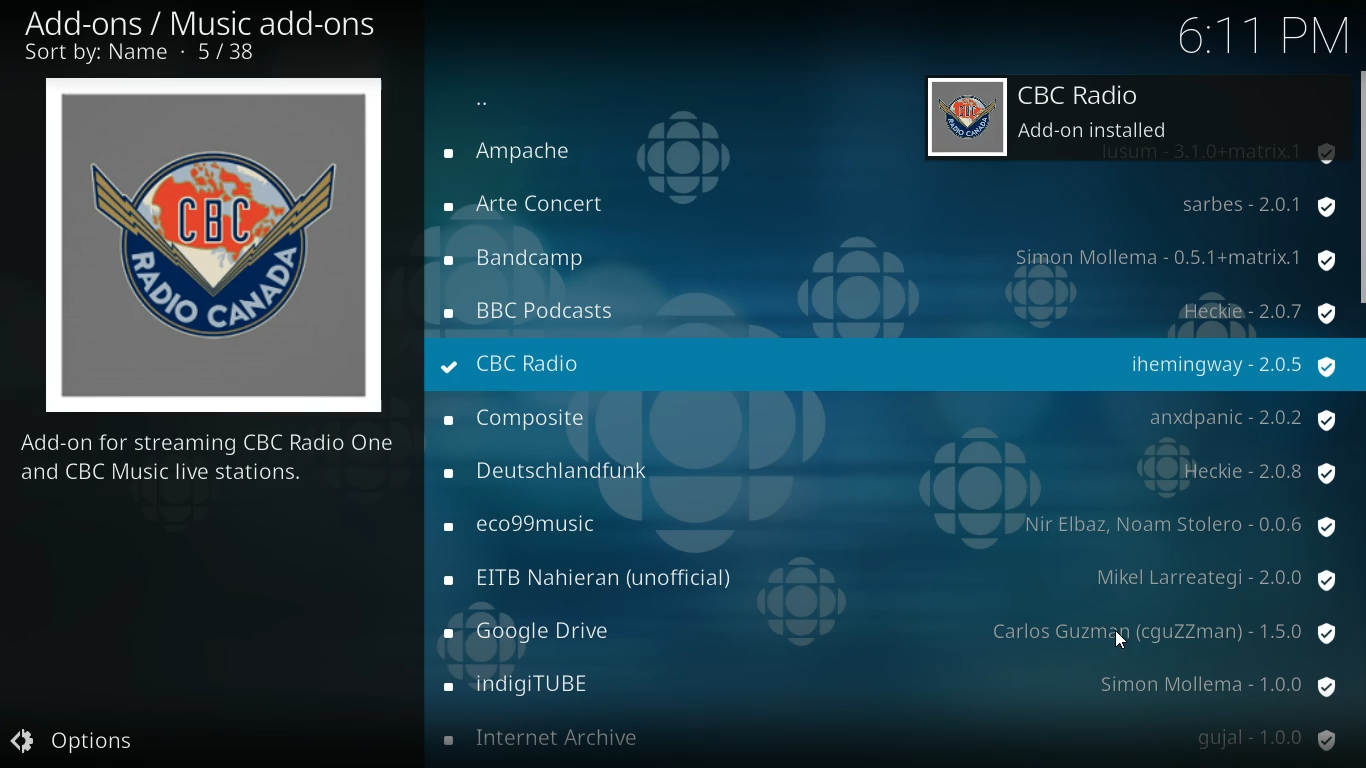 The image size is (1366, 768). What do you see at coordinates (236, 54) in the screenshot?
I see `number of options` at bounding box center [236, 54].